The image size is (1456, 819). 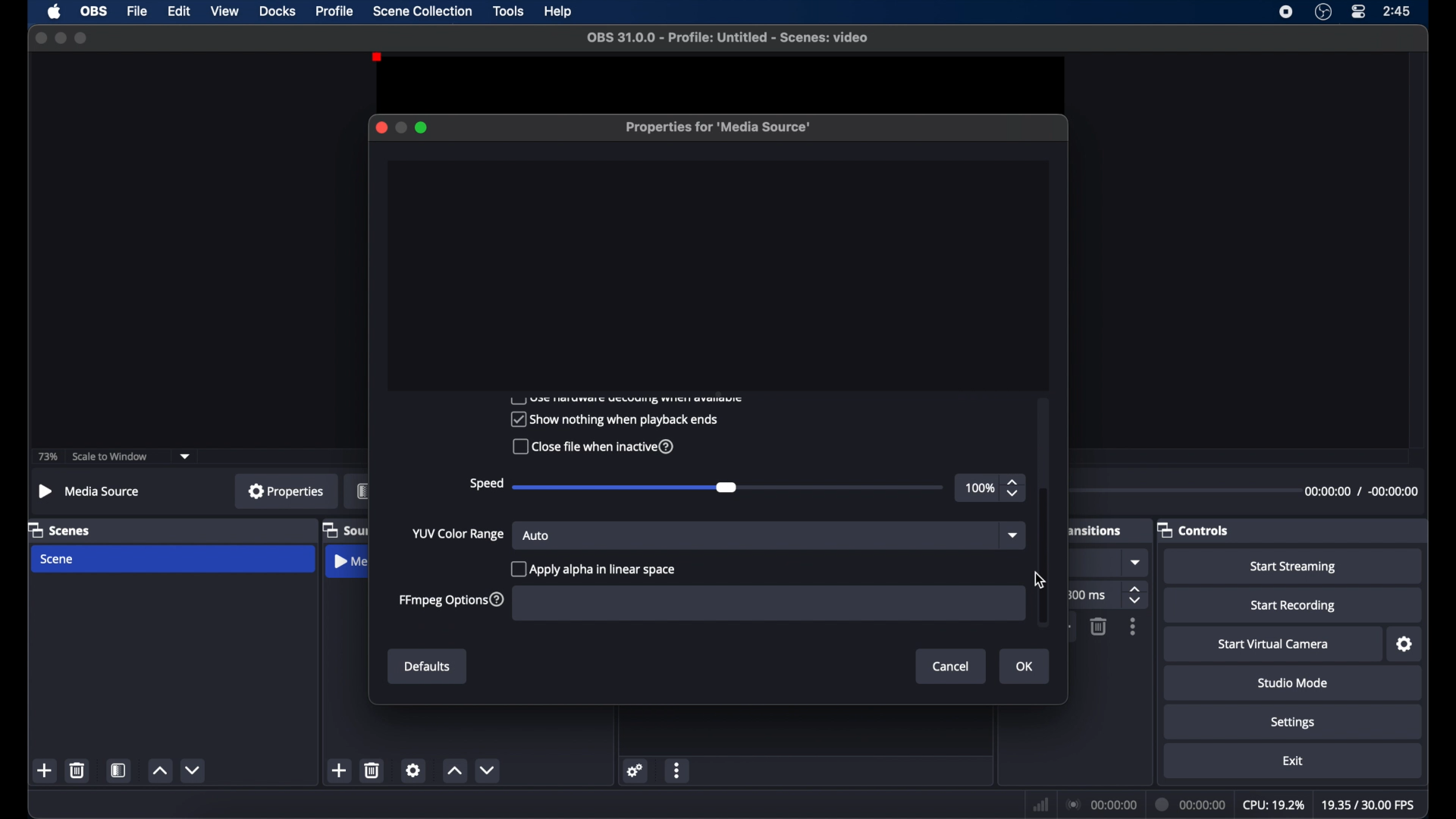 What do you see at coordinates (60, 529) in the screenshot?
I see `scenes` at bounding box center [60, 529].